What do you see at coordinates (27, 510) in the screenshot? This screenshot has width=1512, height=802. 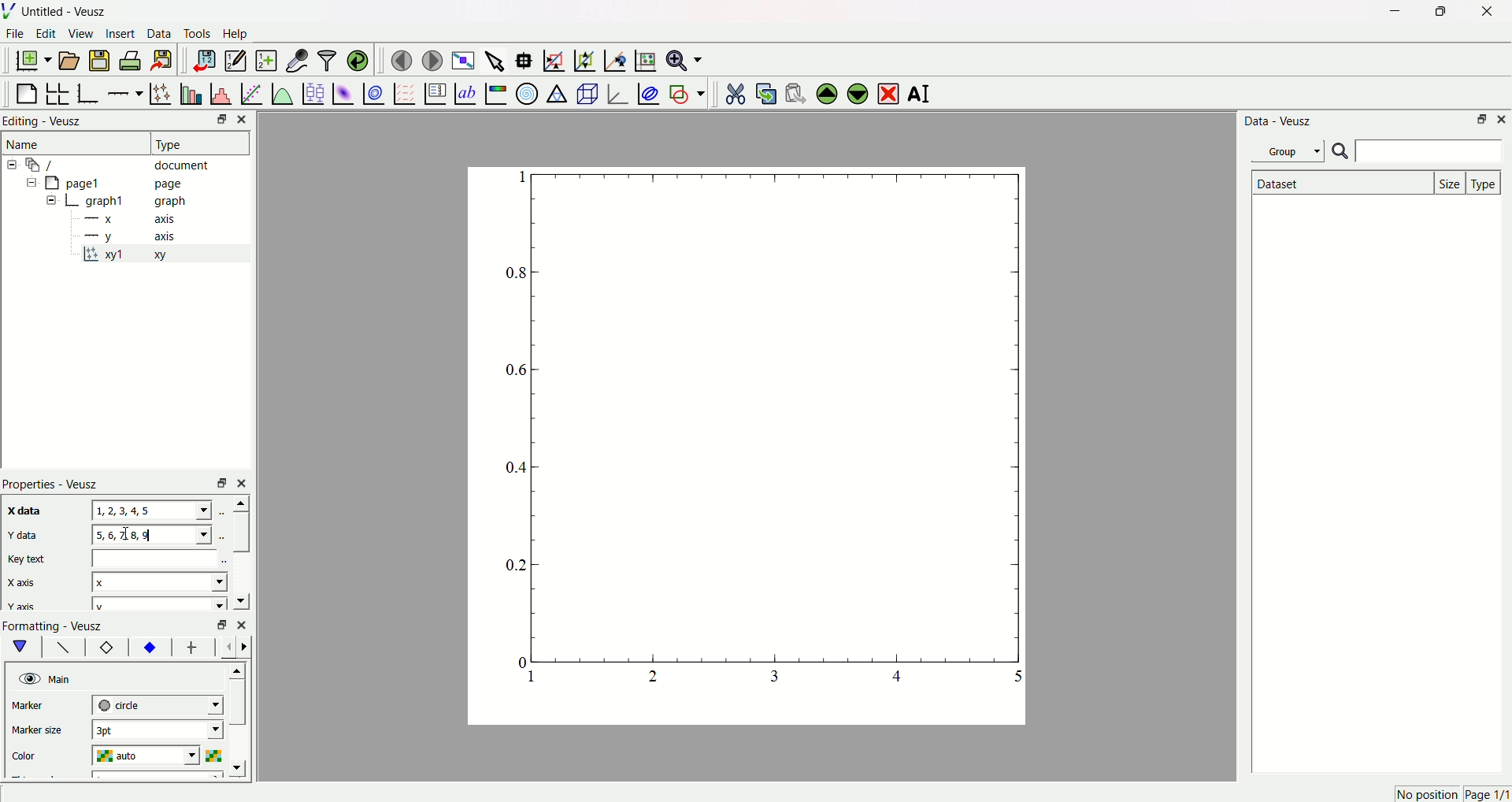 I see `x data` at bounding box center [27, 510].